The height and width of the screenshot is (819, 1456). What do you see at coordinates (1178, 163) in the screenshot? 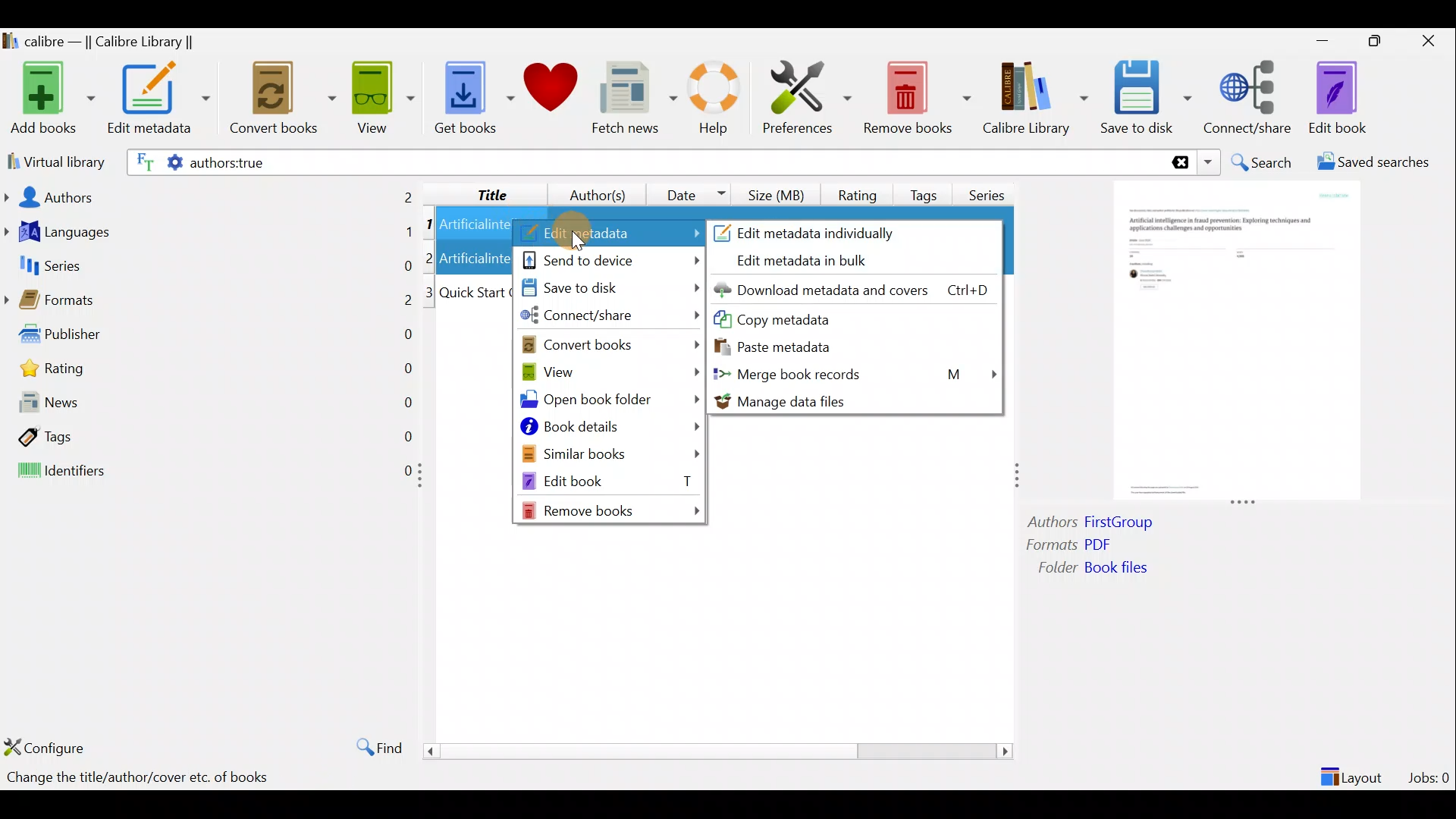
I see `Clear search result` at bounding box center [1178, 163].